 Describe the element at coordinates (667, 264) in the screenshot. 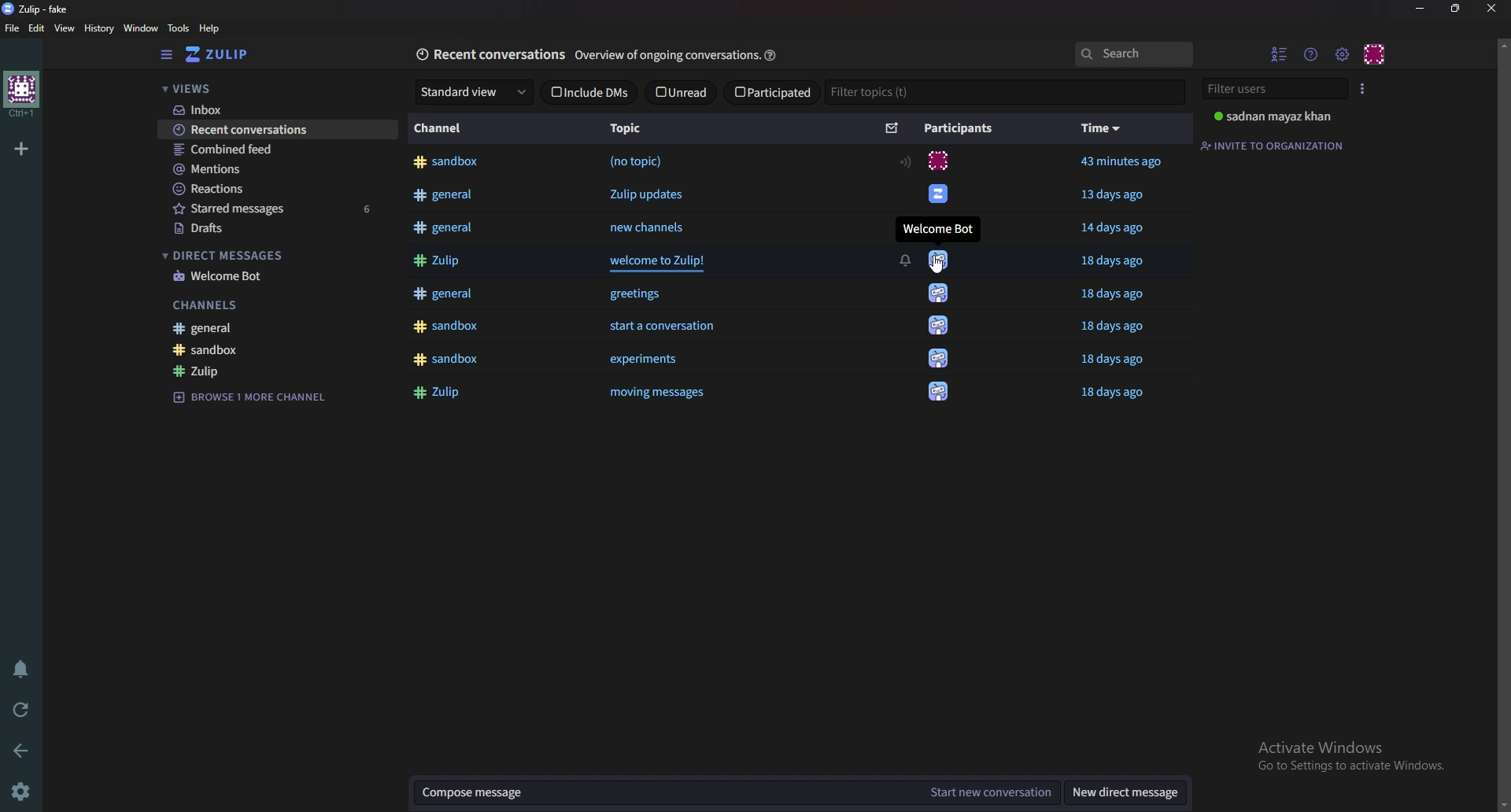

I see `welcome to Zulip!` at that location.